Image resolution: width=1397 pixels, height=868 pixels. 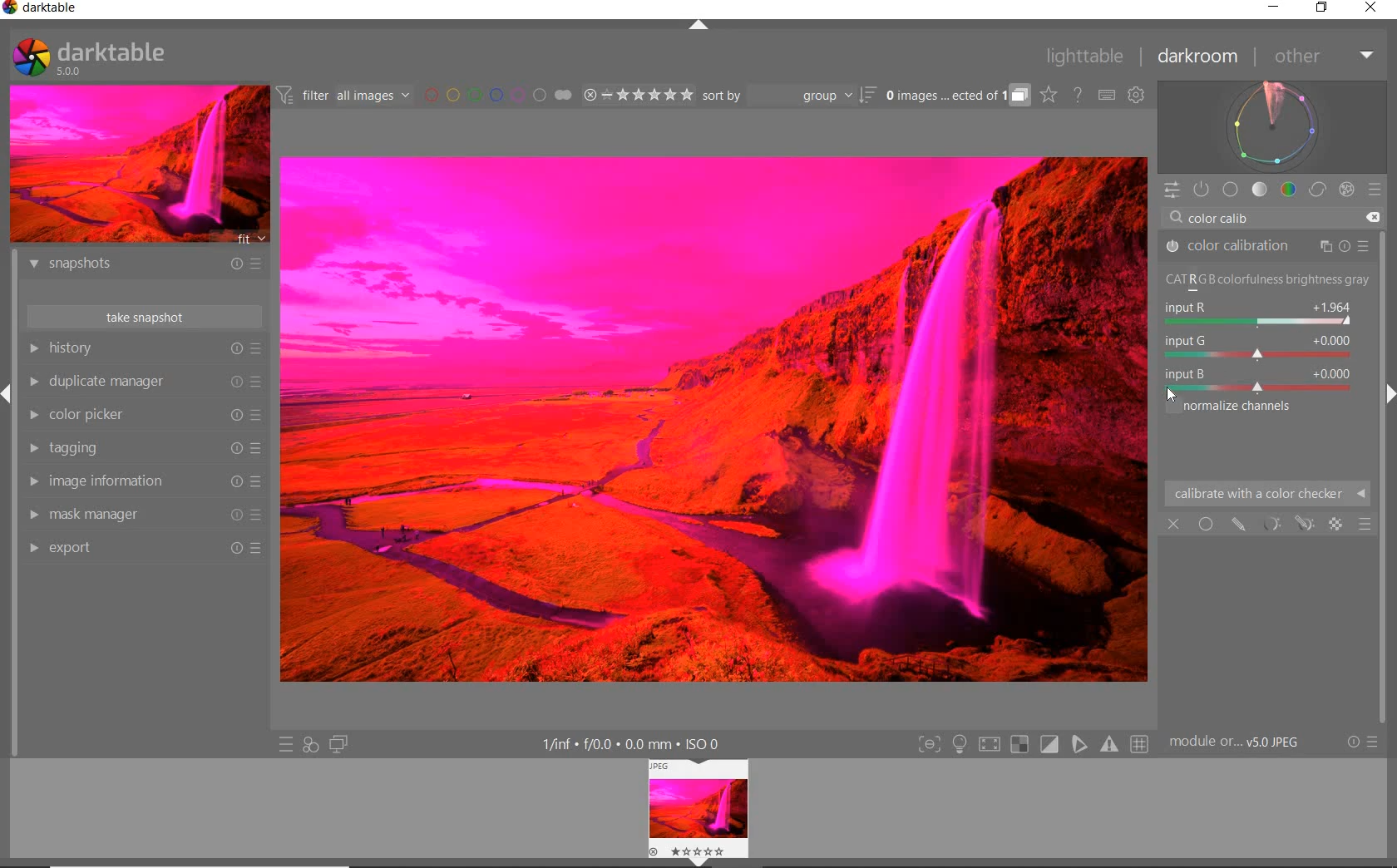 I want to click on Expand/Collapse, so click(x=702, y=862).